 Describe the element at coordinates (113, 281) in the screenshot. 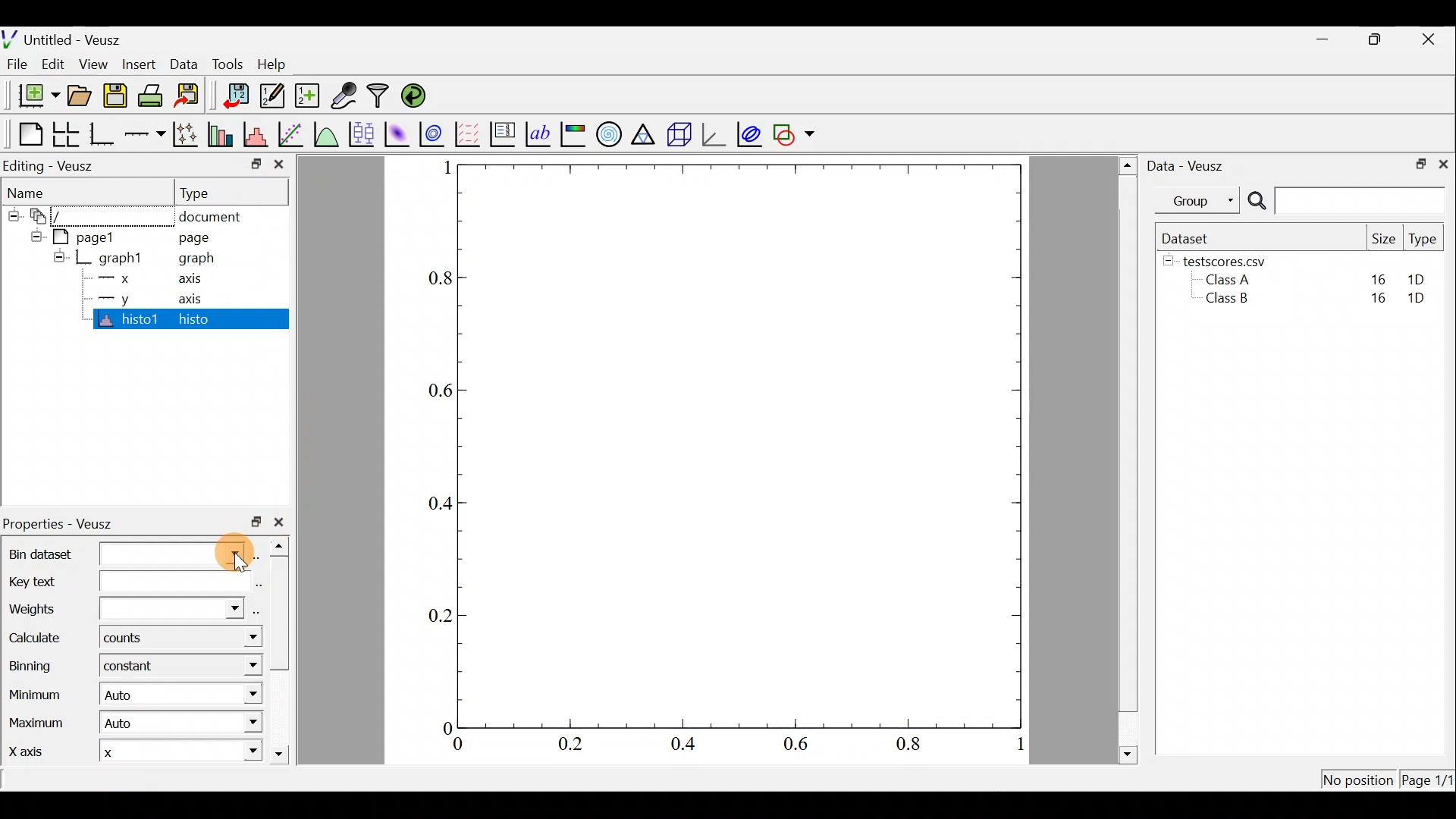

I see `x` at that location.